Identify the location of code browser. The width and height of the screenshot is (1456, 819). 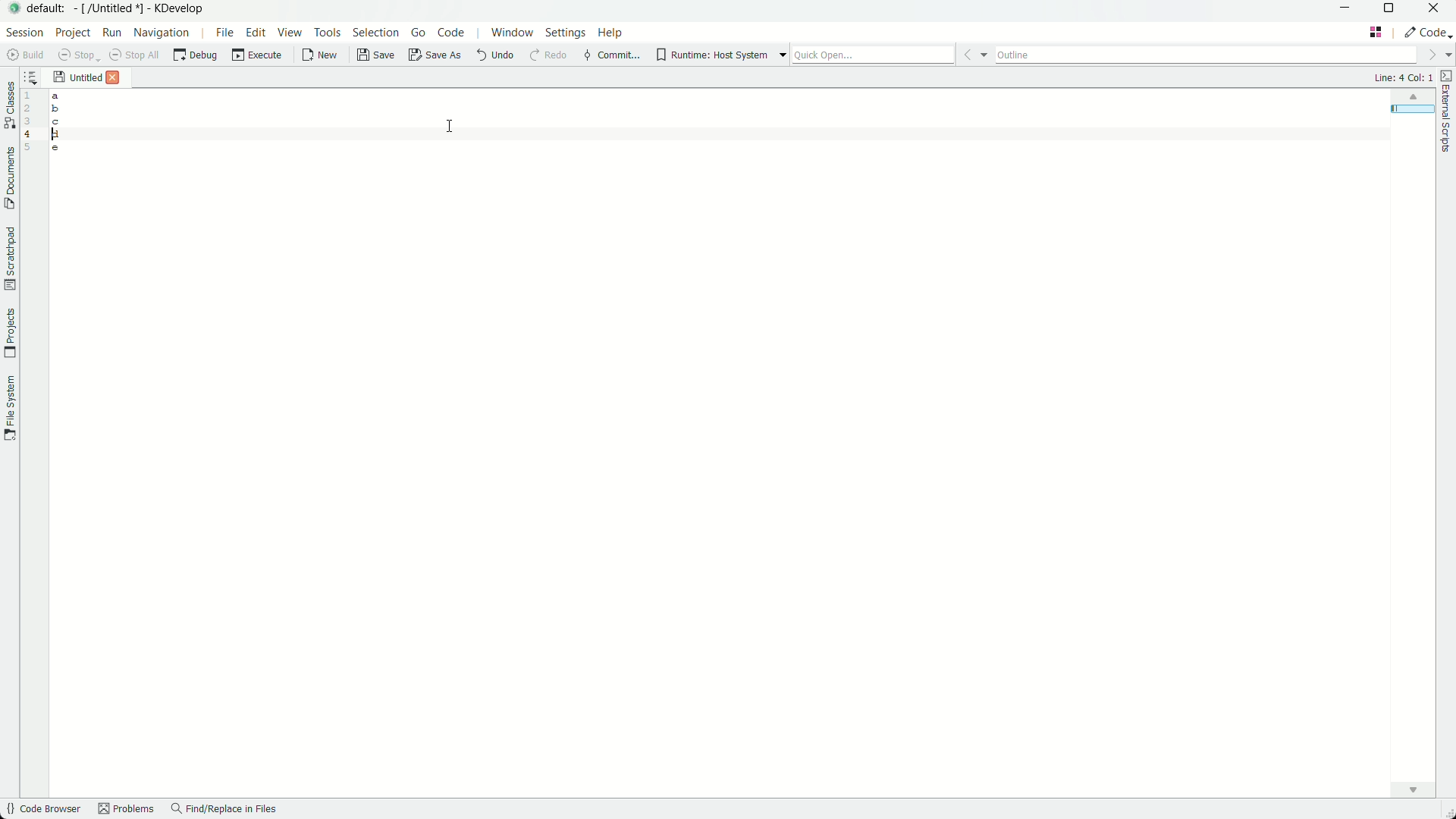
(42, 810).